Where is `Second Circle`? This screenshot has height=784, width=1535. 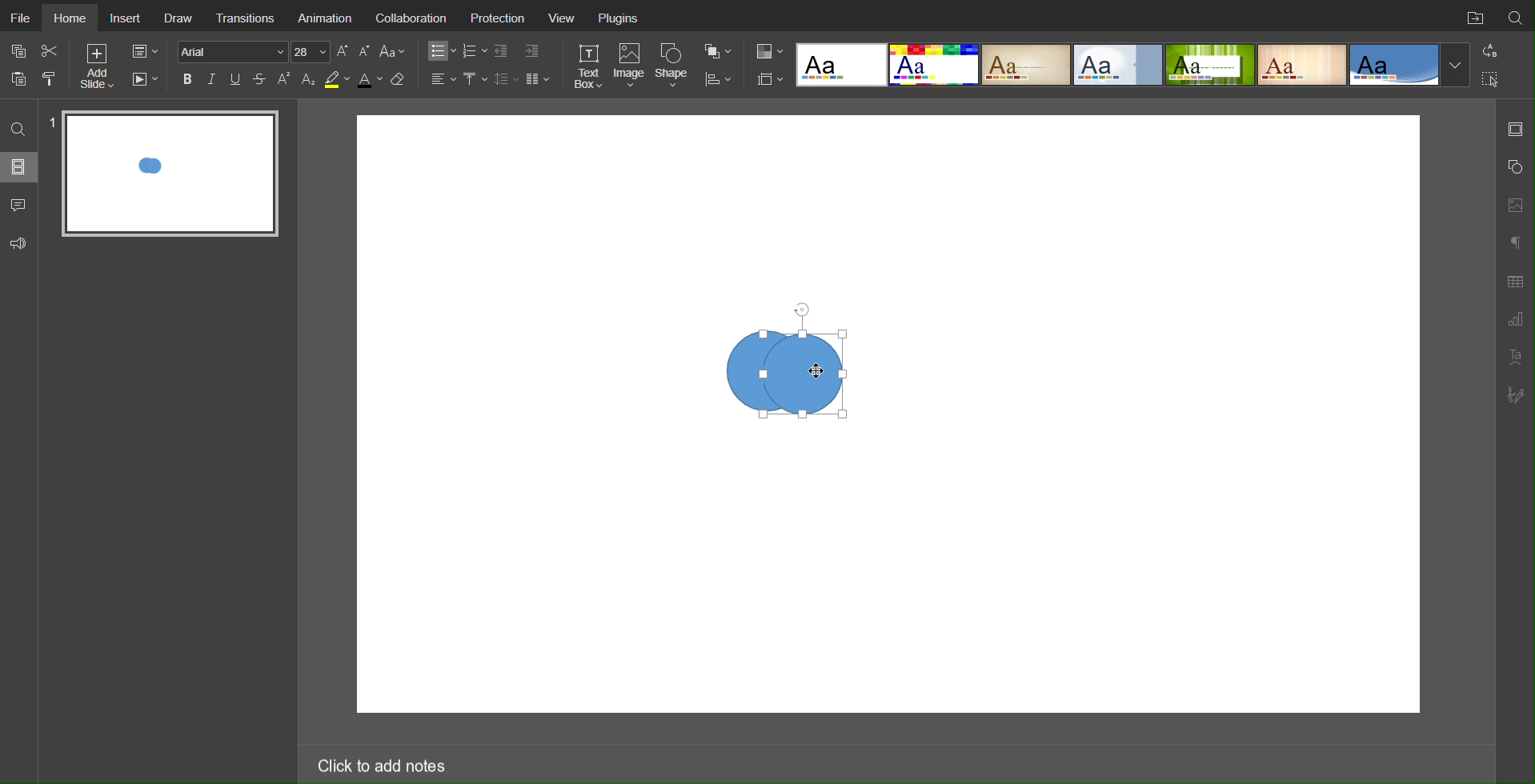
Second Circle is located at coordinates (808, 373).